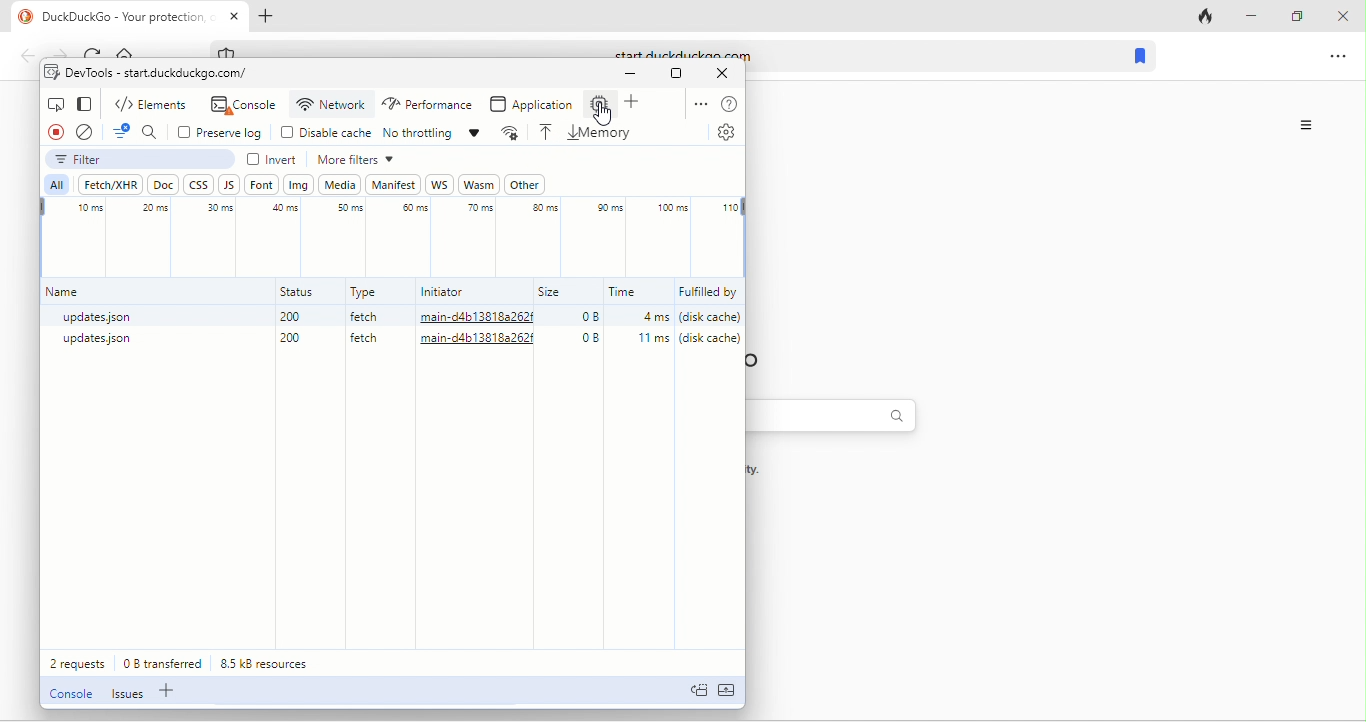 Image resolution: width=1366 pixels, height=722 pixels. I want to click on 30 ms, so click(216, 212).